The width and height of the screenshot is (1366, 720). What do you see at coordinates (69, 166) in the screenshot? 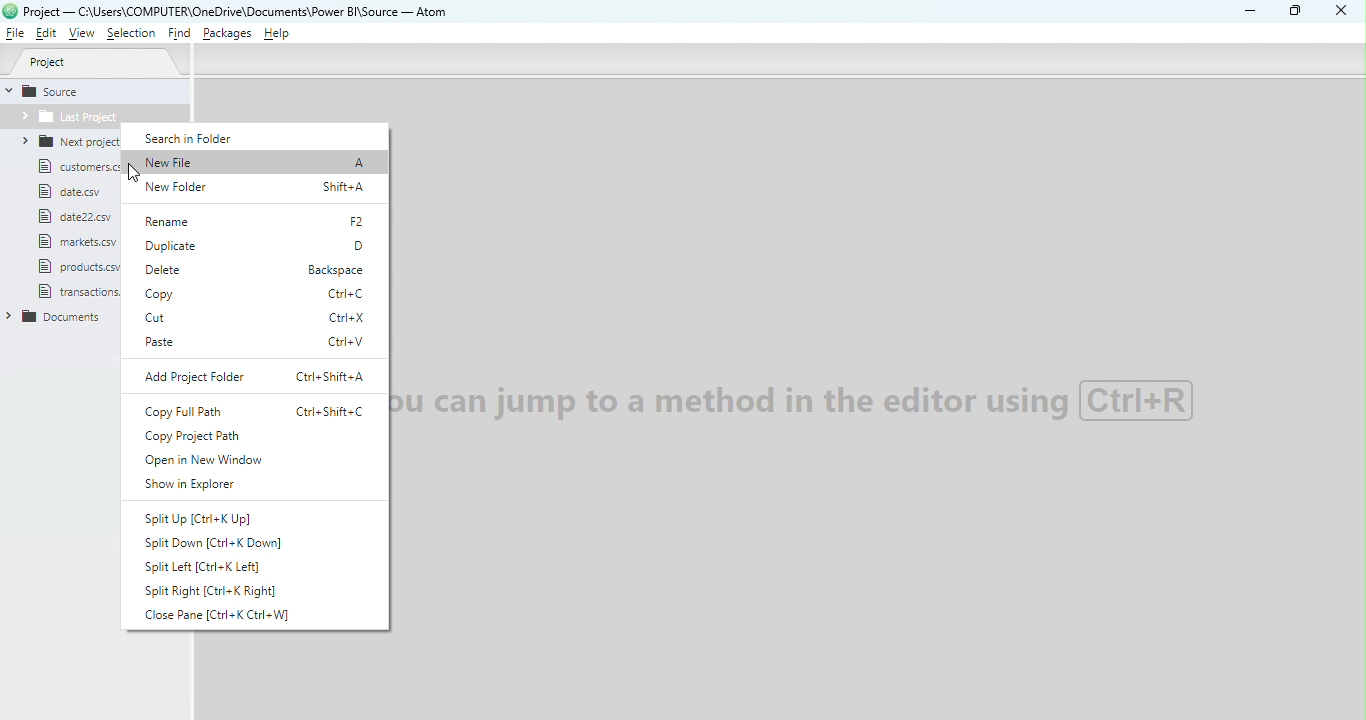
I see `file` at bounding box center [69, 166].